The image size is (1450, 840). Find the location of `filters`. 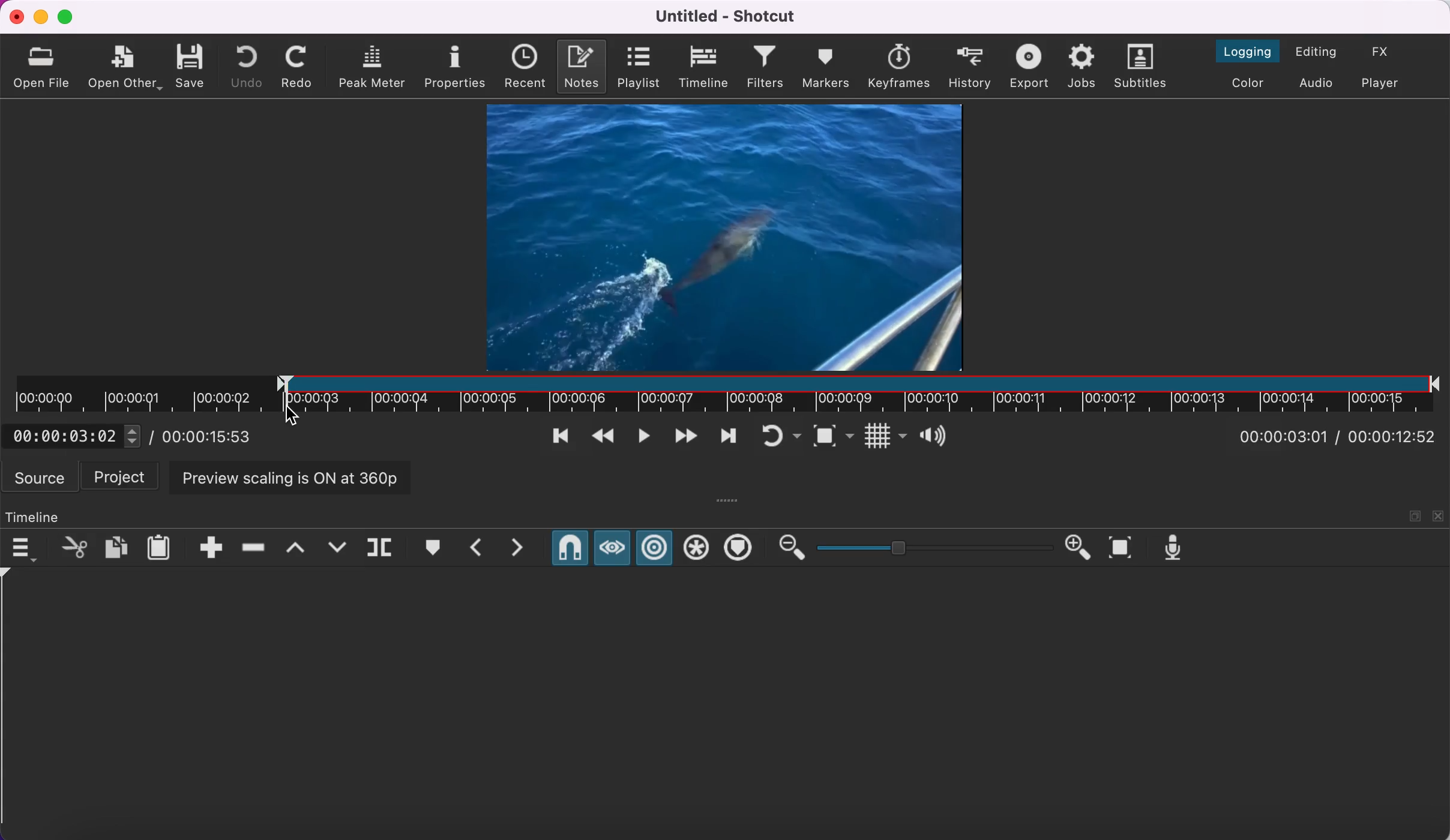

filters is located at coordinates (766, 67).